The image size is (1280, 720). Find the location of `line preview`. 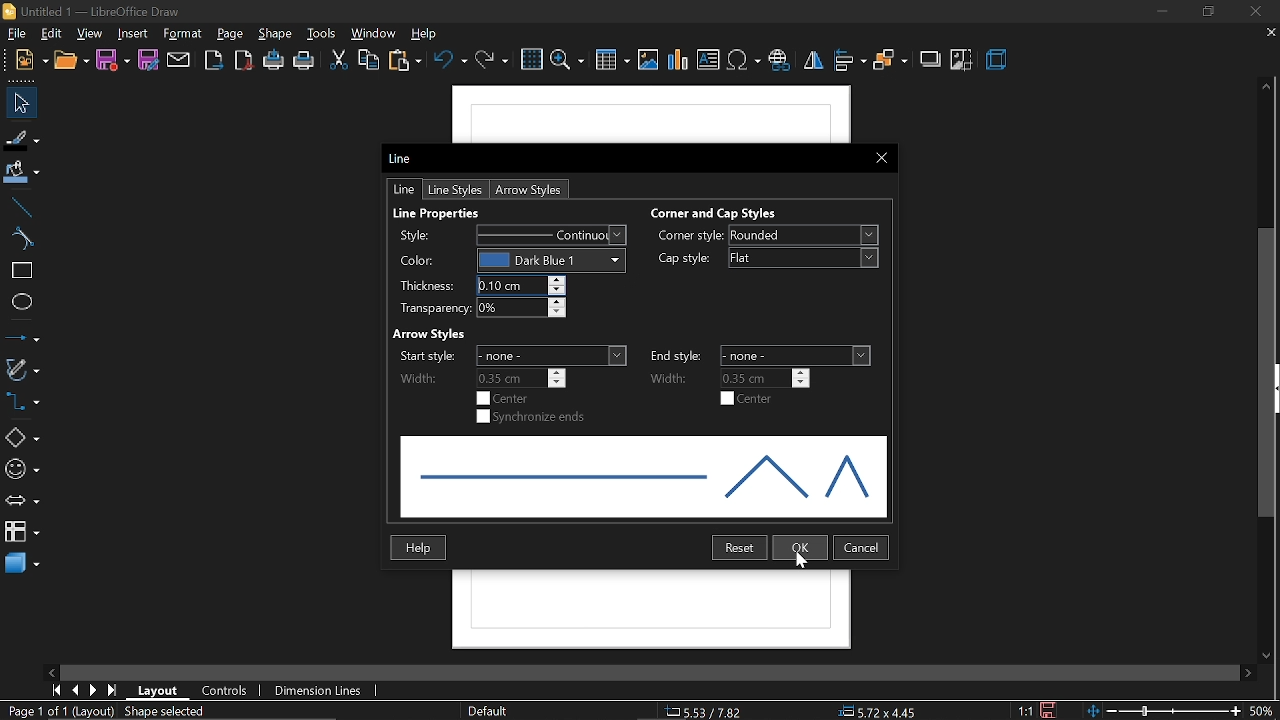

line preview is located at coordinates (644, 477).